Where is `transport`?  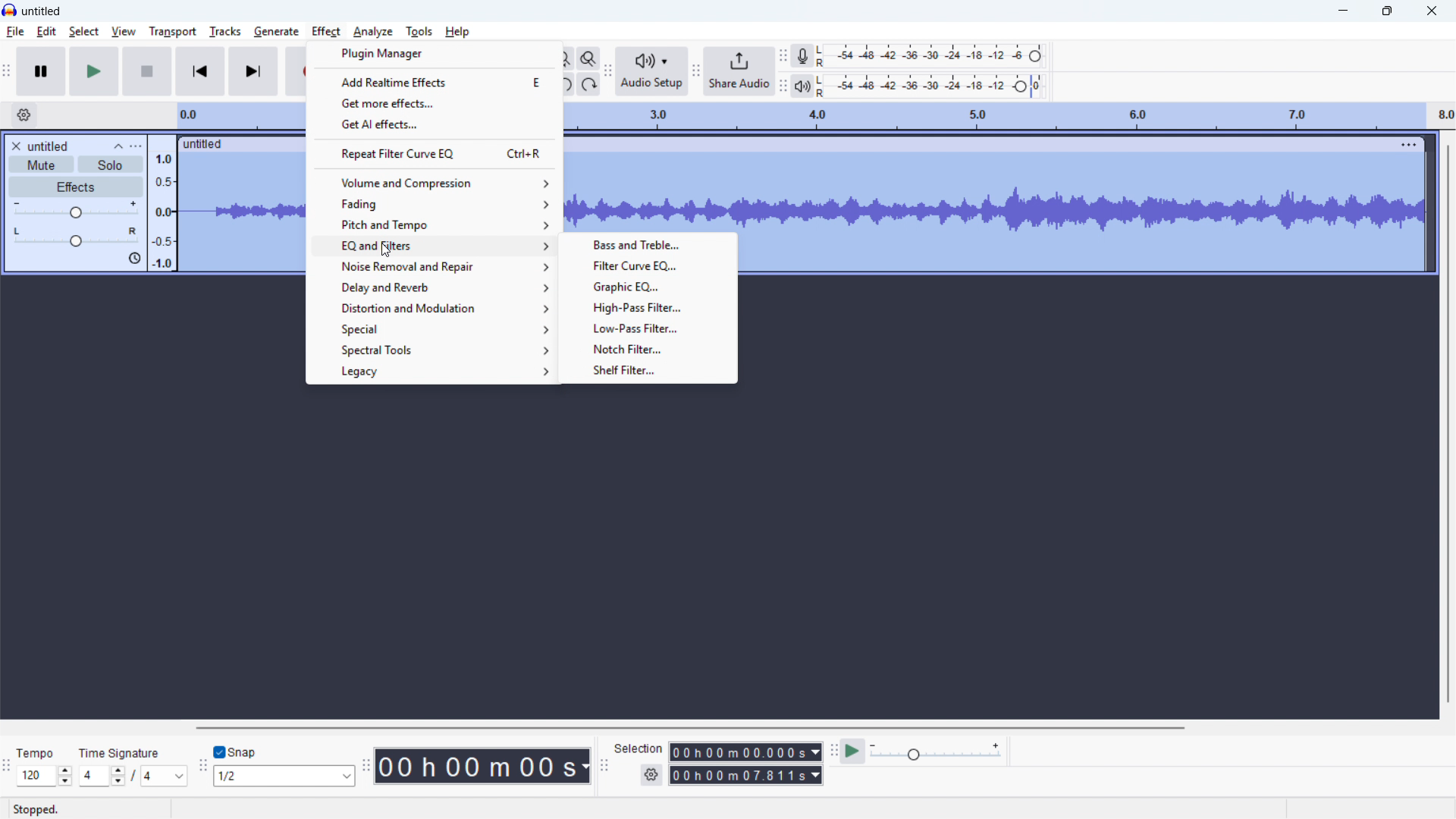 transport is located at coordinates (171, 32).